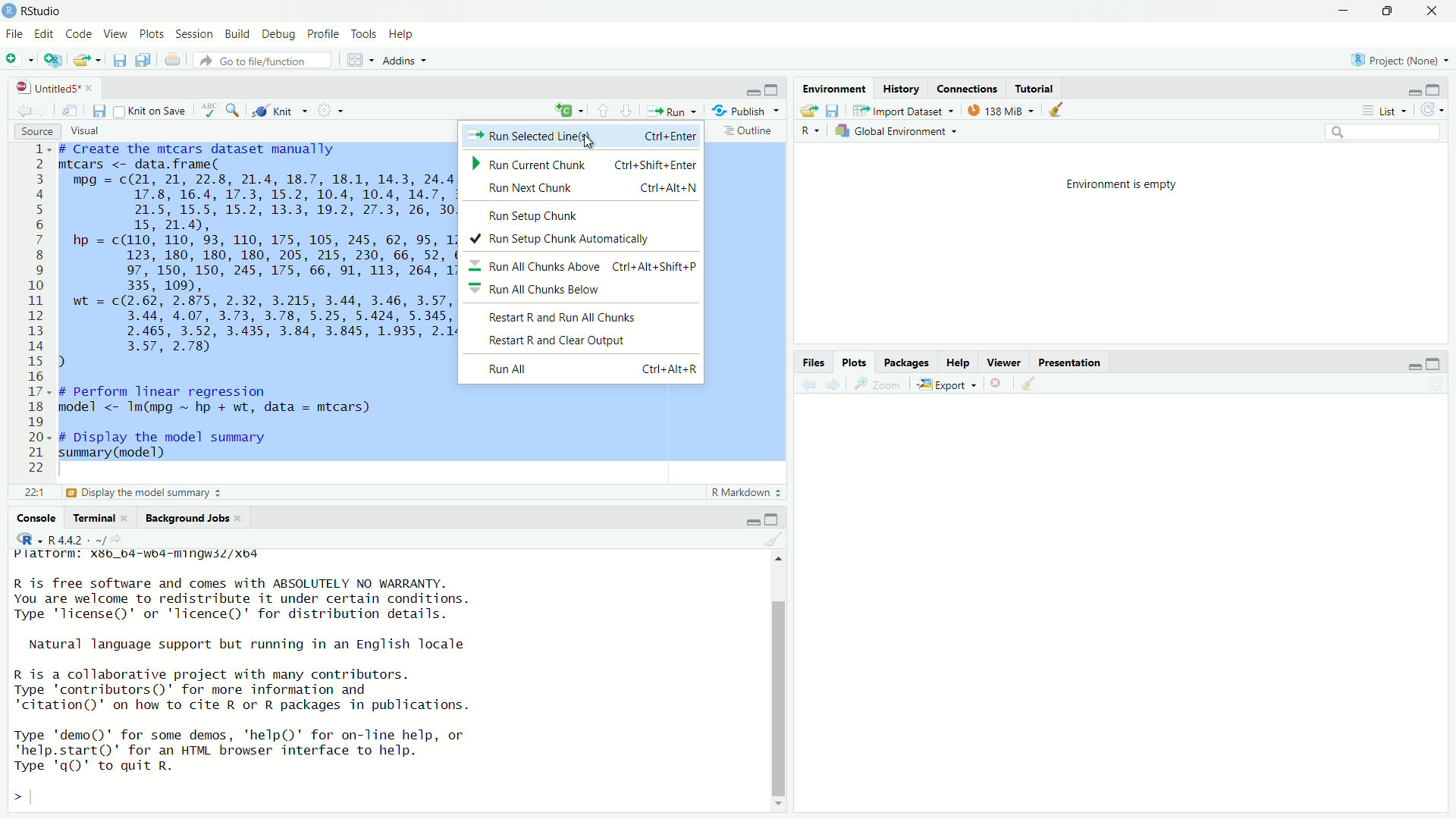 The image size is (1456, 819). Describe the element at coordinates (833, 111) in the screenshot. I see `save workspace as...` at that location.